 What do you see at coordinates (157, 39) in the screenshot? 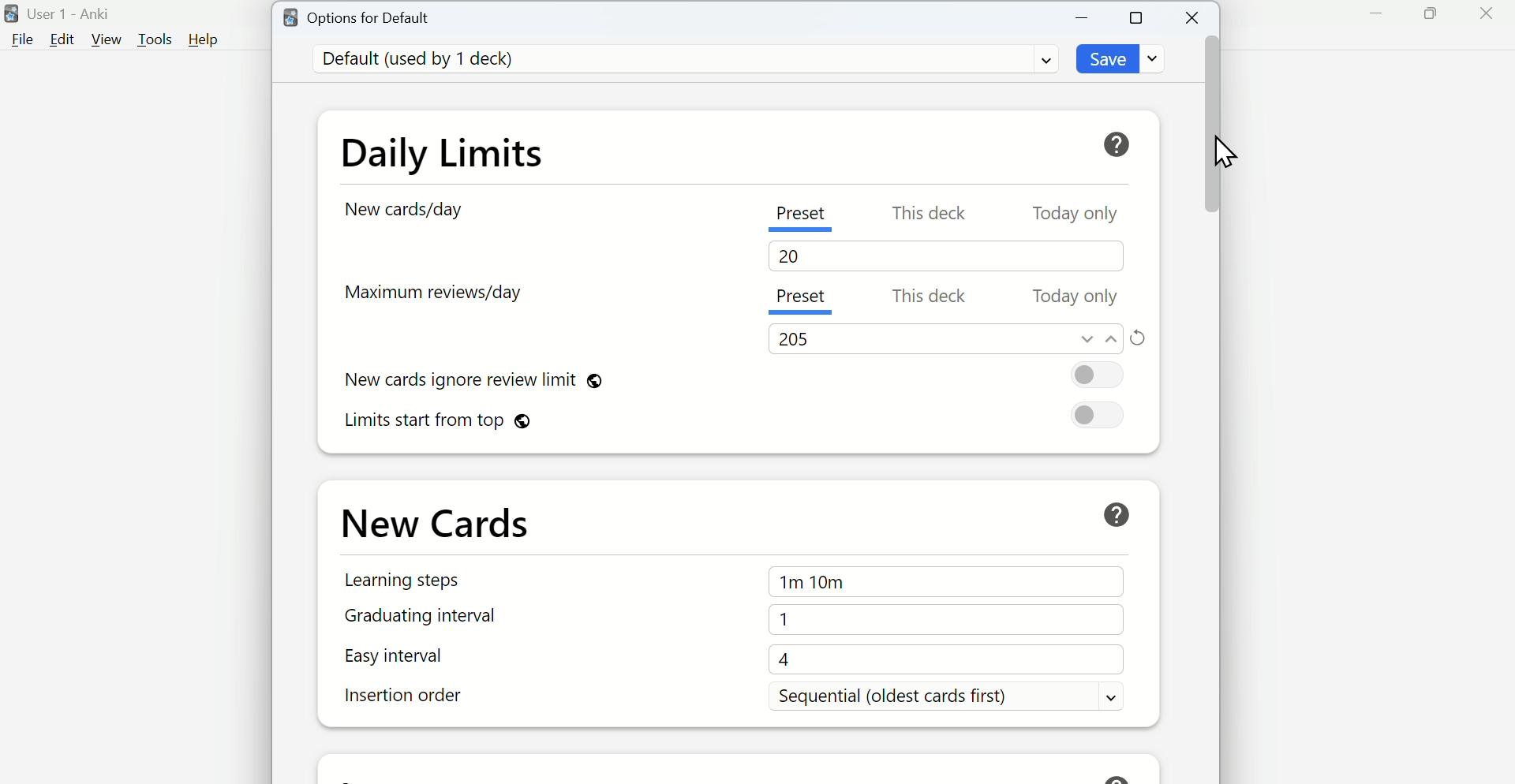
I see `Tools` at bounding box center [157, 39].